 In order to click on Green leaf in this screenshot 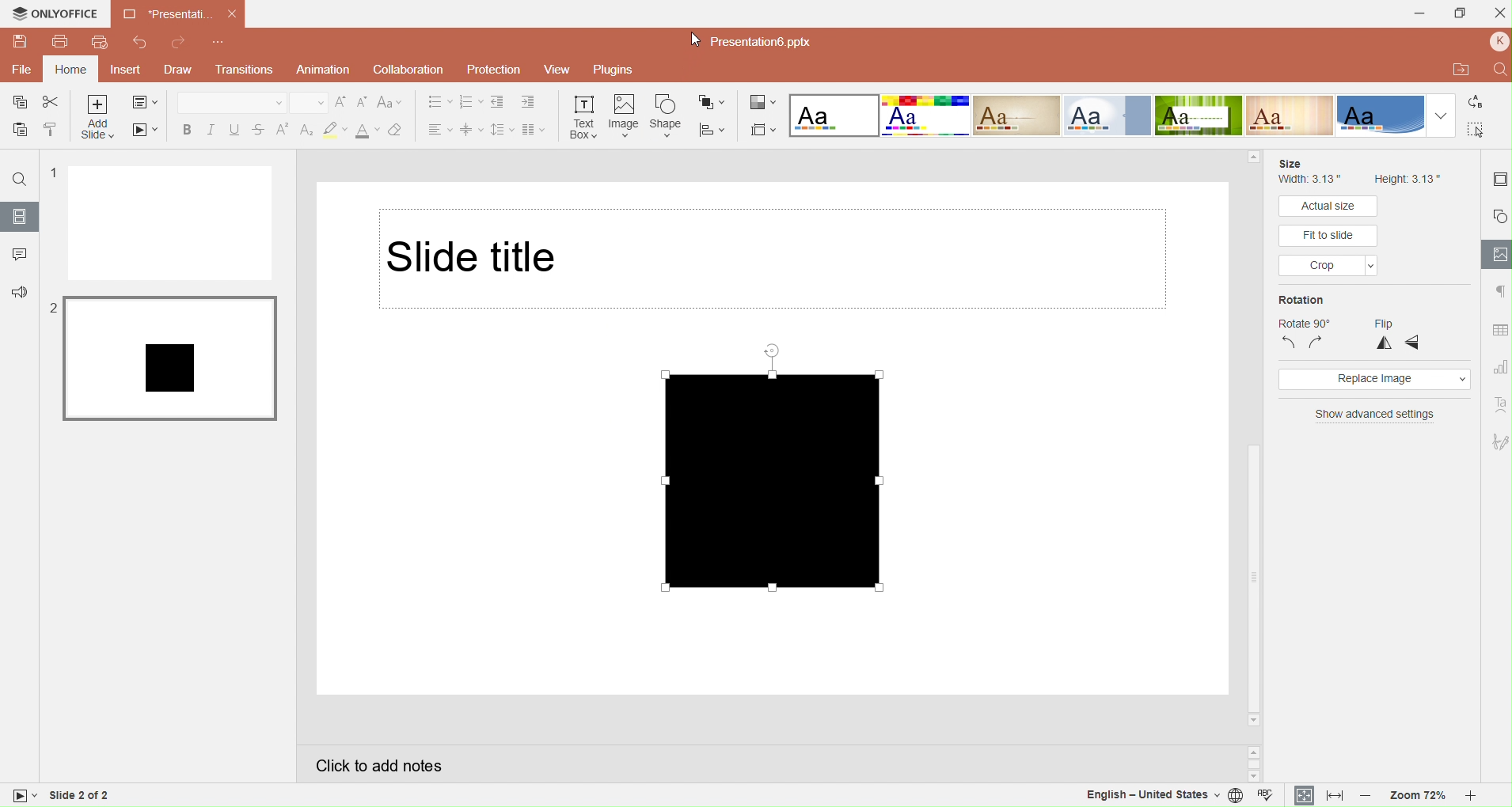, I will do `click(1199, 116)`.